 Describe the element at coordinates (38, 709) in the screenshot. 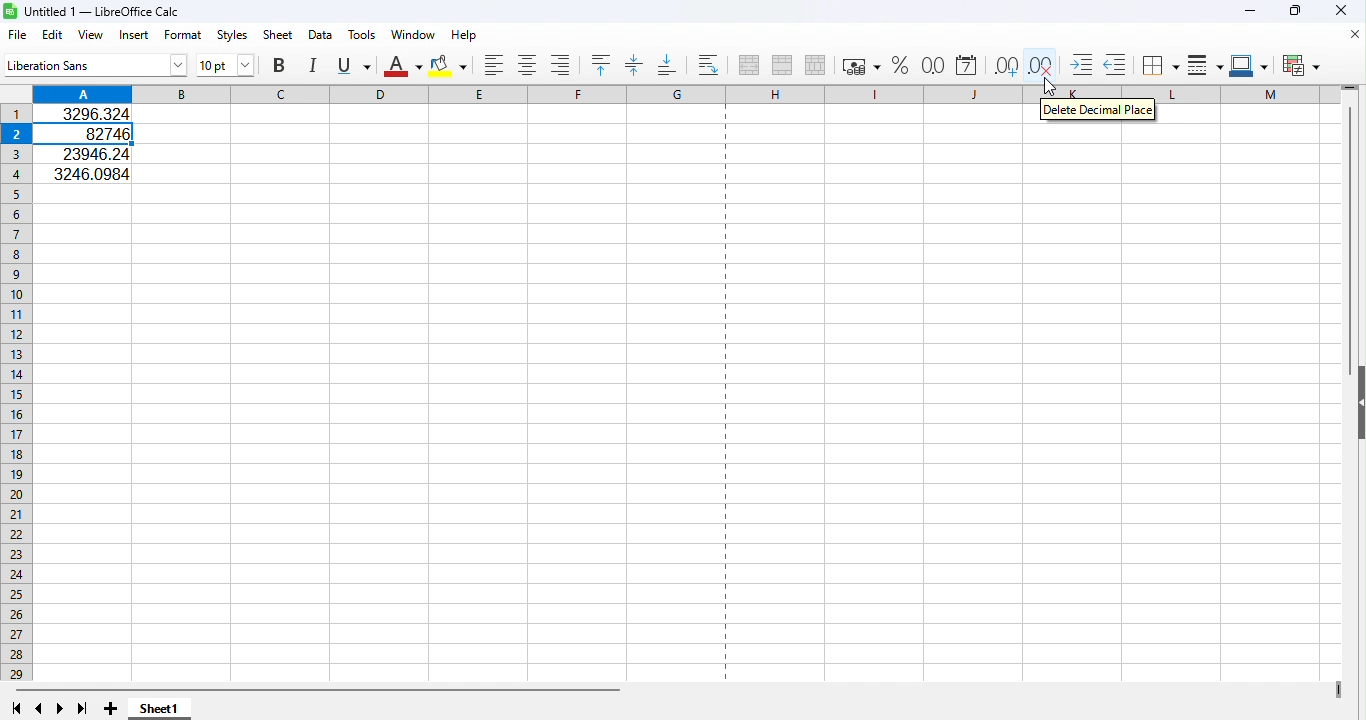

I see `Scroll to previous sheet` at that location.